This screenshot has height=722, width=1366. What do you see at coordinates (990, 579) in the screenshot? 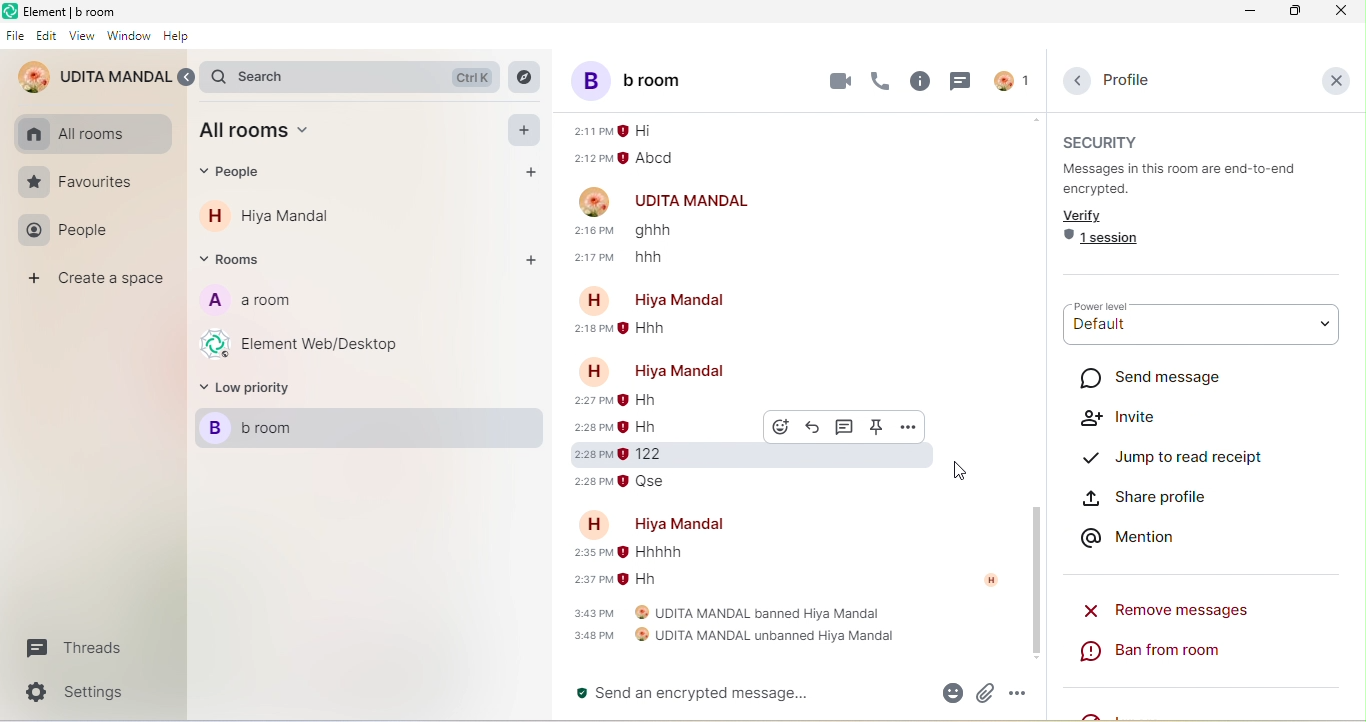
I see `account` at bounding box center [990, 579].